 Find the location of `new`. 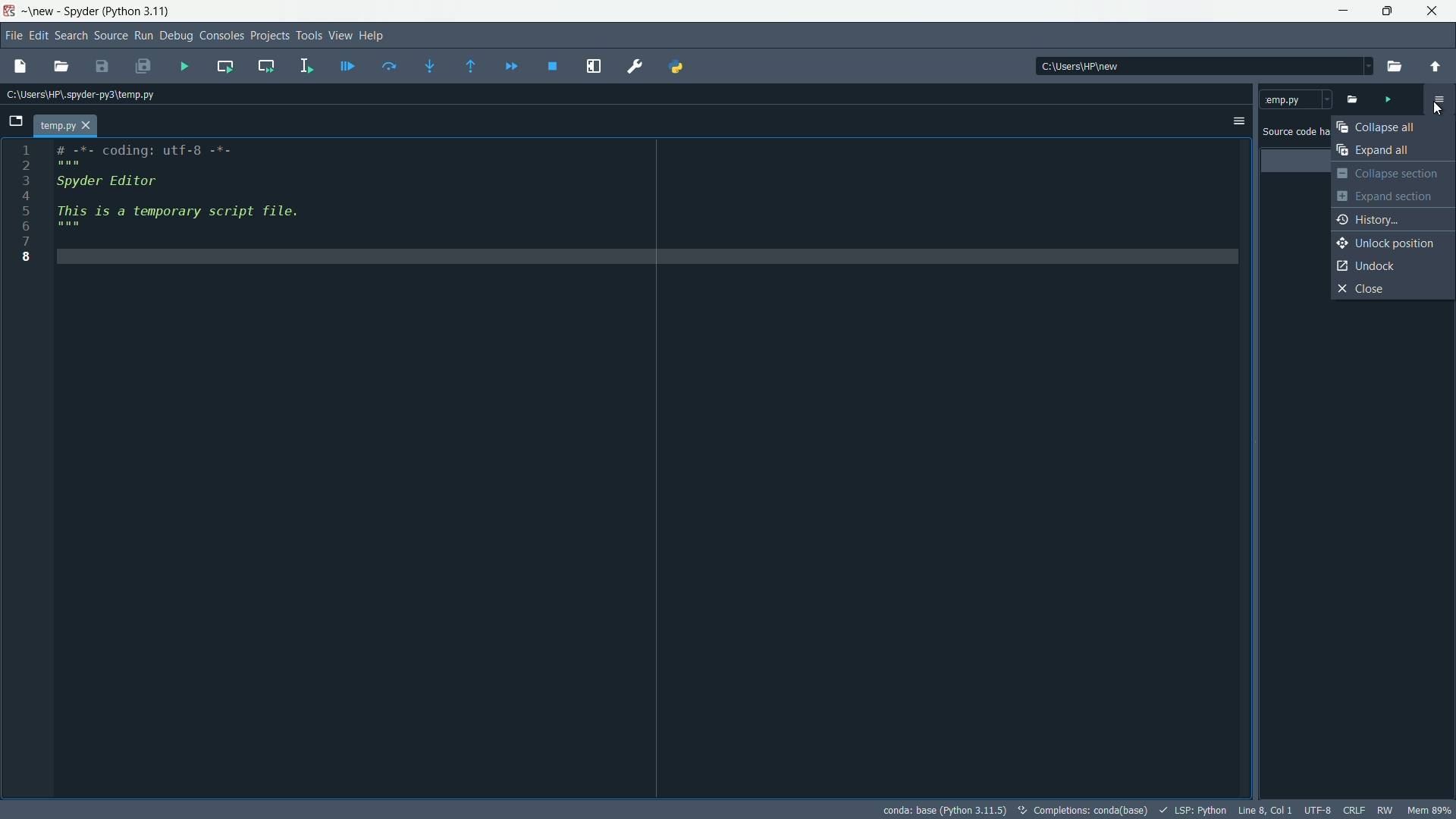

new is located at coordinates (39, 14).